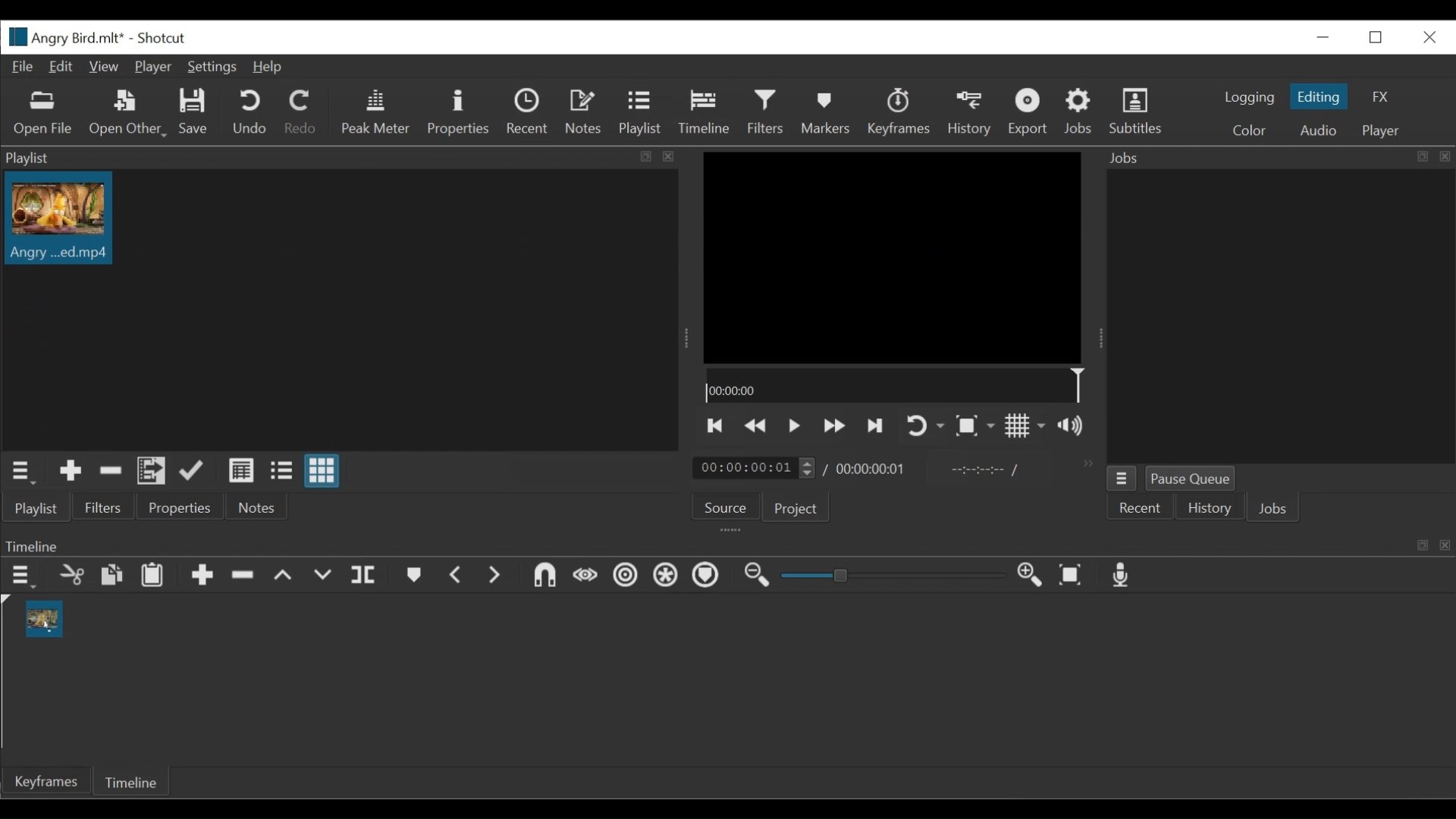  Describe the element at coordinates (212, 67) in the screenshot. I see `Settings` at that location.